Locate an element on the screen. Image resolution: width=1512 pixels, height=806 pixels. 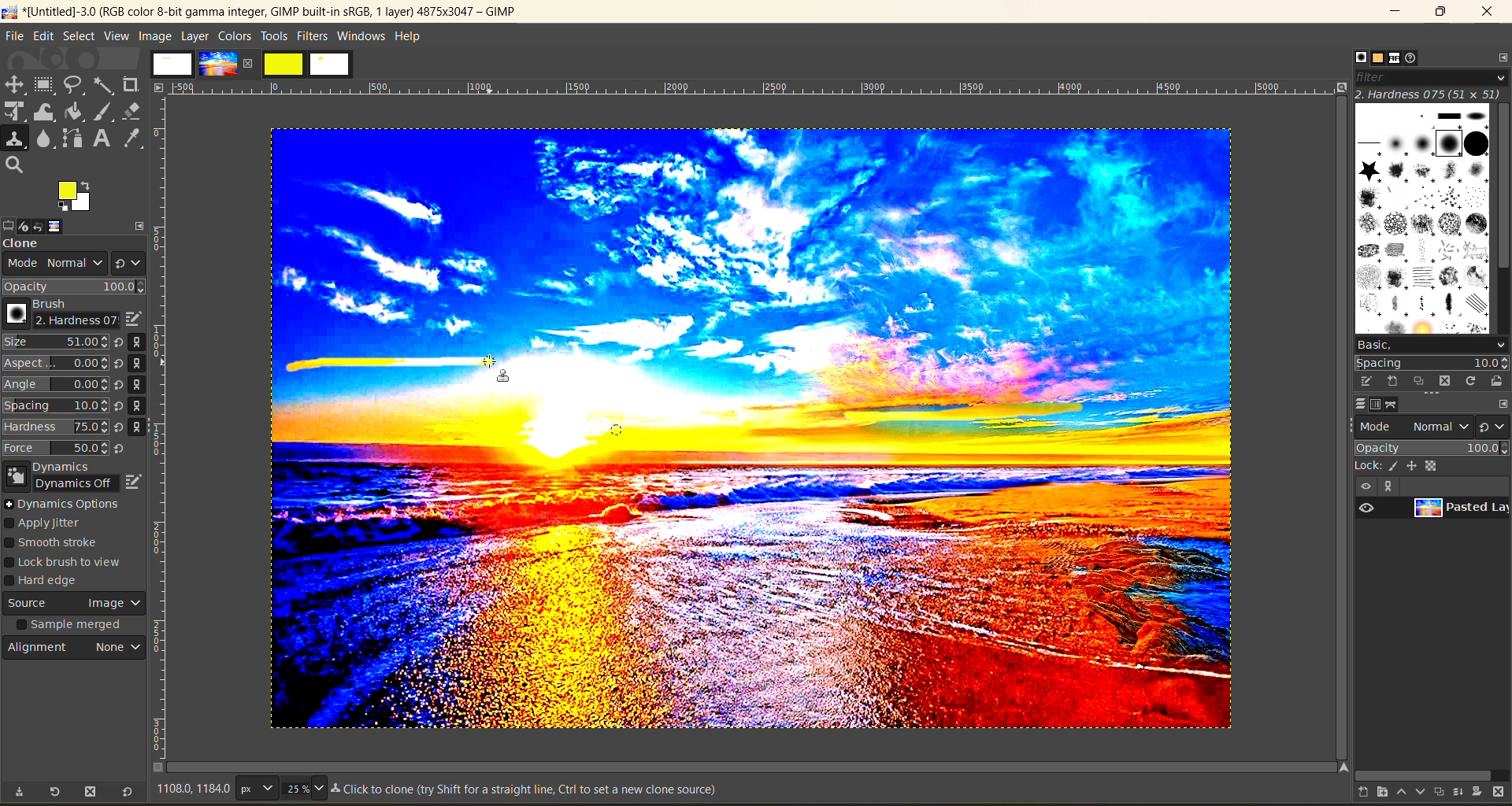
[Hardness 75.0 is located at coordinates (55, 425).